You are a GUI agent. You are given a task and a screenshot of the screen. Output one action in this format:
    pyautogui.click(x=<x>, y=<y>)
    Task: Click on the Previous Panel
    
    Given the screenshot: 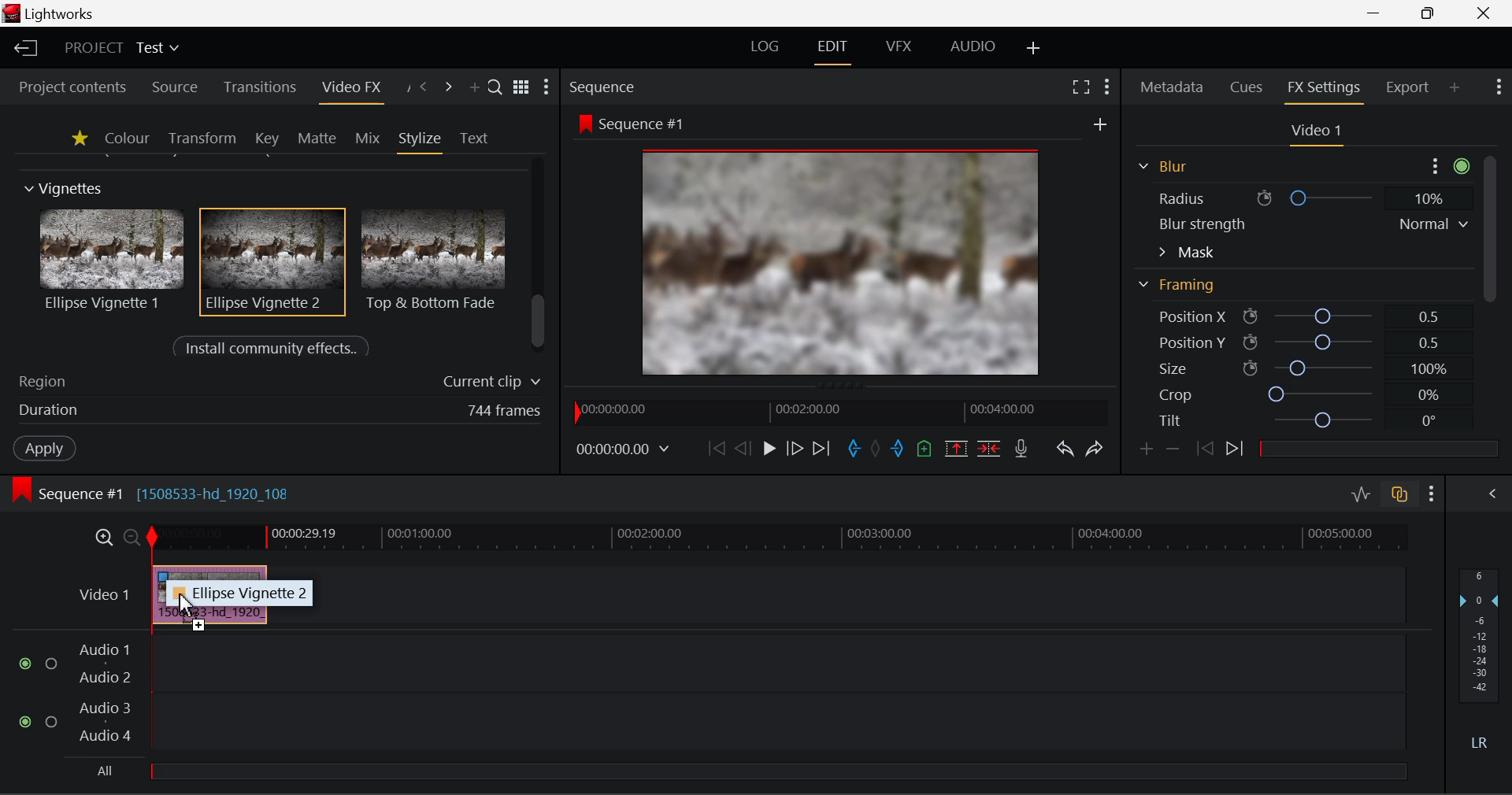 What is the action you would take?
    pyautogui.click(x=424, y=87)
    